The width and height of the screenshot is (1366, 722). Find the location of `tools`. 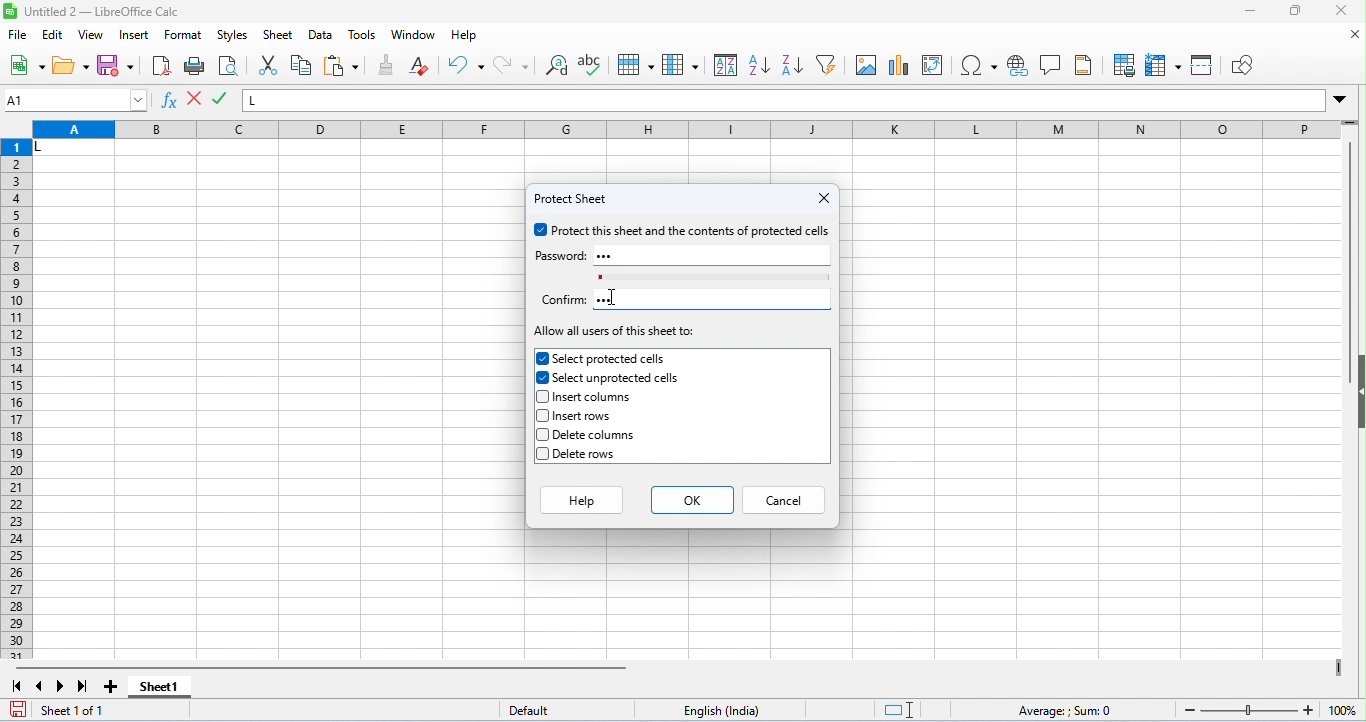

tools is located at coordinates (364, 35).